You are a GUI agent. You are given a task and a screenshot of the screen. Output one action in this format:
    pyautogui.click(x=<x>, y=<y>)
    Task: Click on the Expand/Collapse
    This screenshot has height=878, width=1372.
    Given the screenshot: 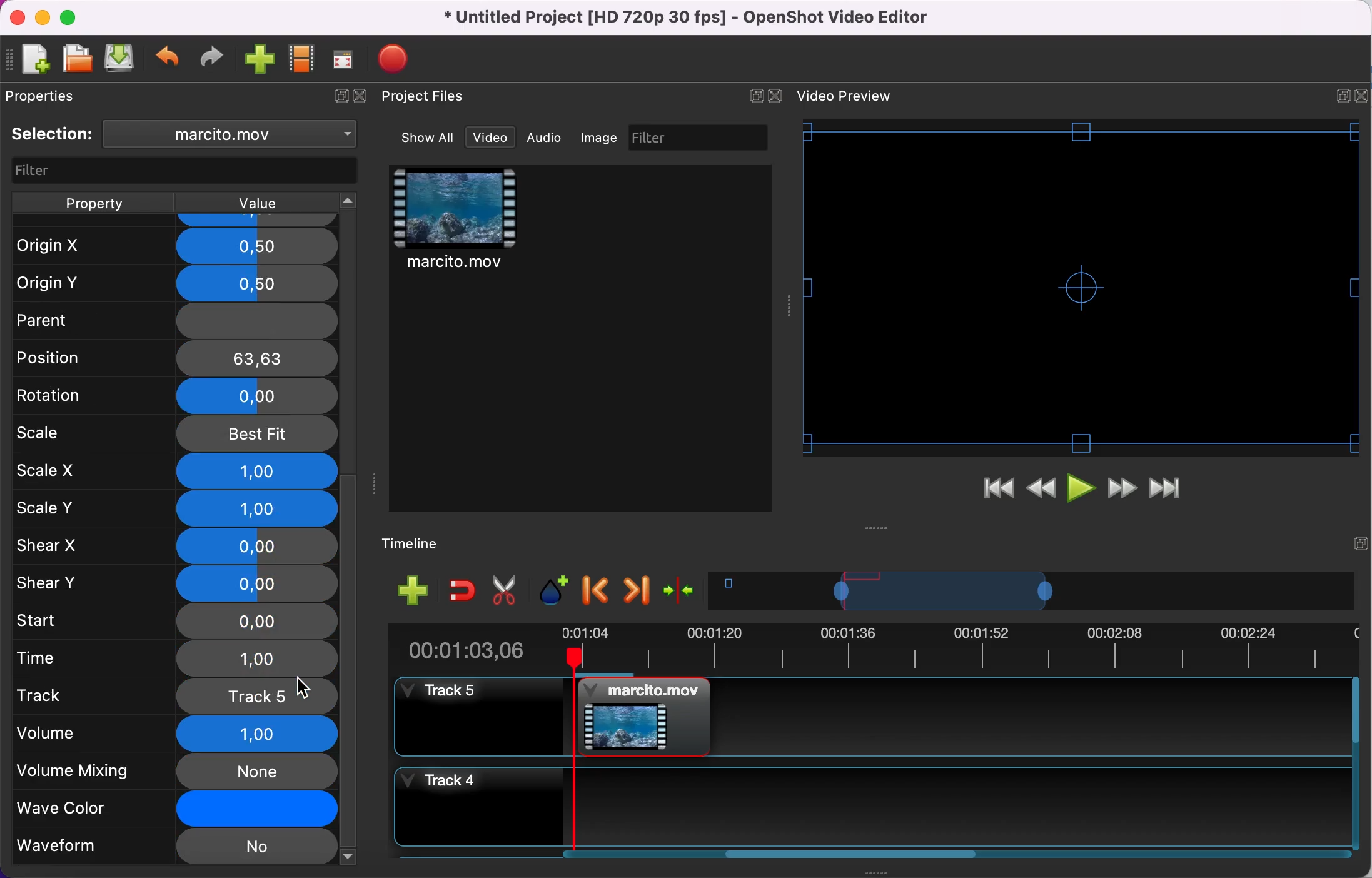 What is the action you would take?
    pyautogui.click(x=1361, y=543)
    